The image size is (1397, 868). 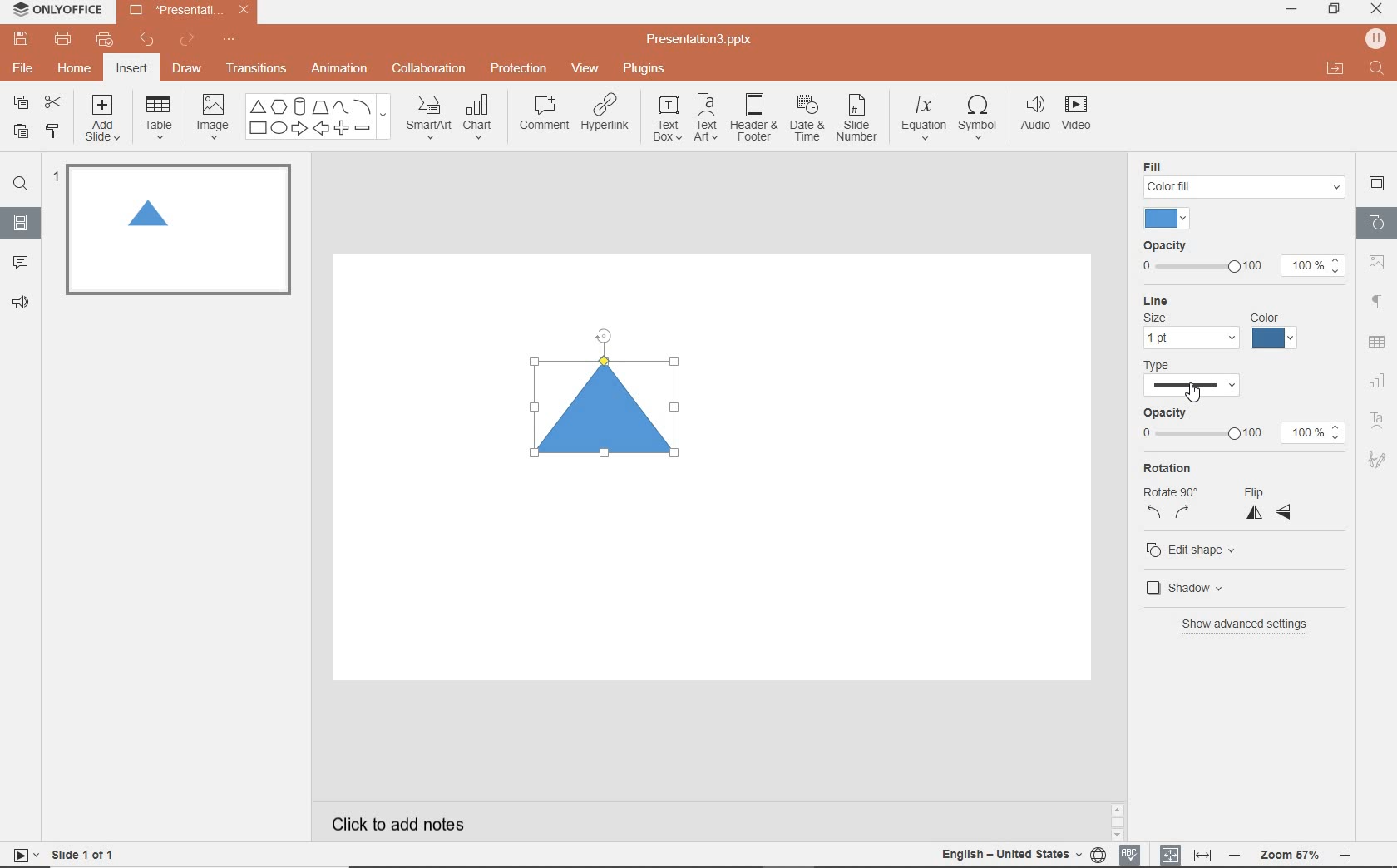 I want to click on COLLABORATION, so click(x=434, y=70).